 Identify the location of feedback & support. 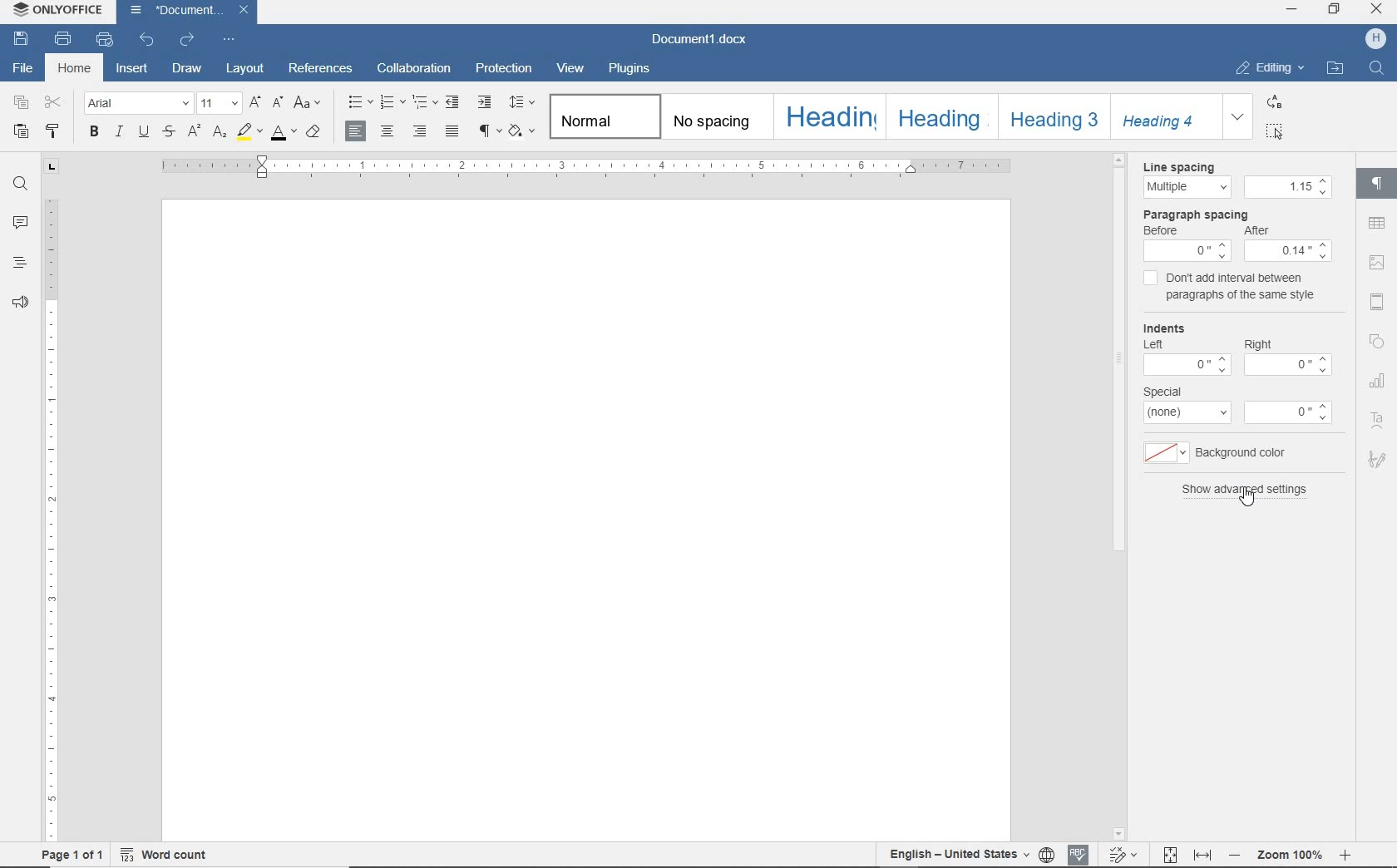
(17, 301).